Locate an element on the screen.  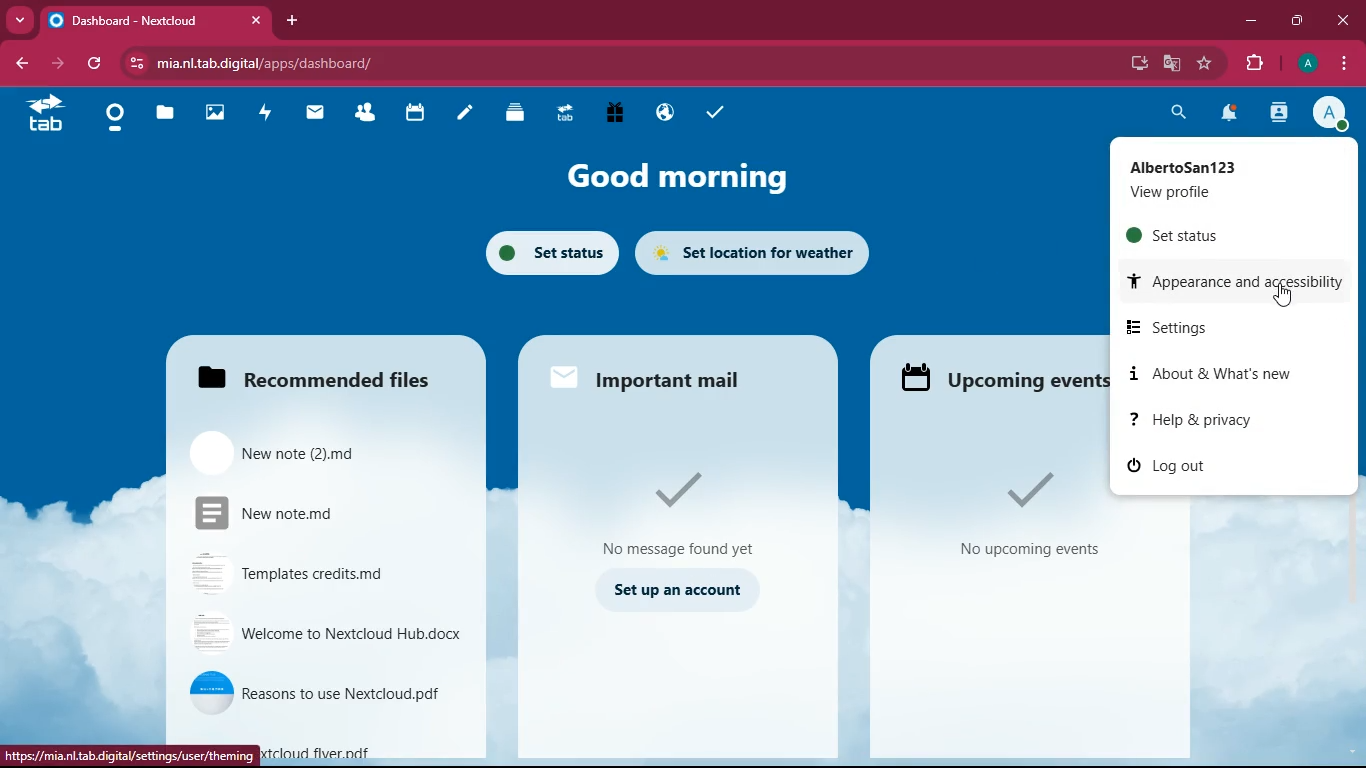
about & what's new is located at coordinates (1216, 376).